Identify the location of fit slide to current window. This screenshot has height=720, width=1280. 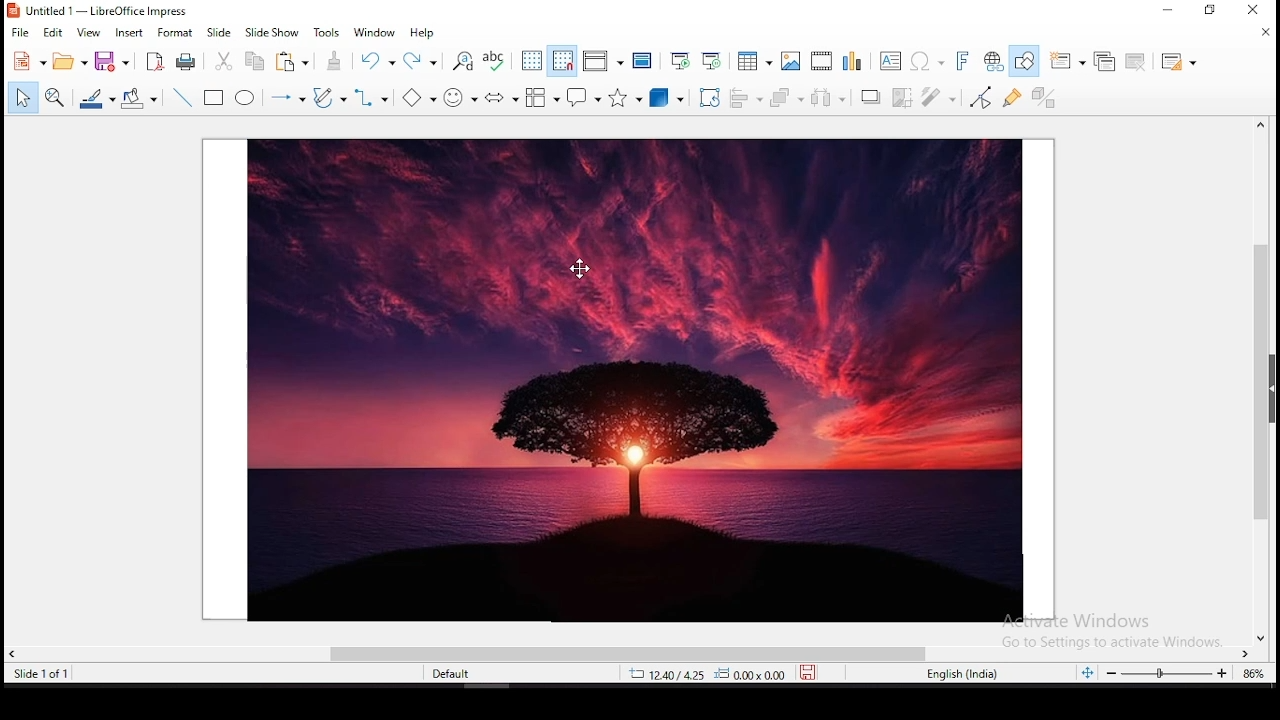
(1090, 673).